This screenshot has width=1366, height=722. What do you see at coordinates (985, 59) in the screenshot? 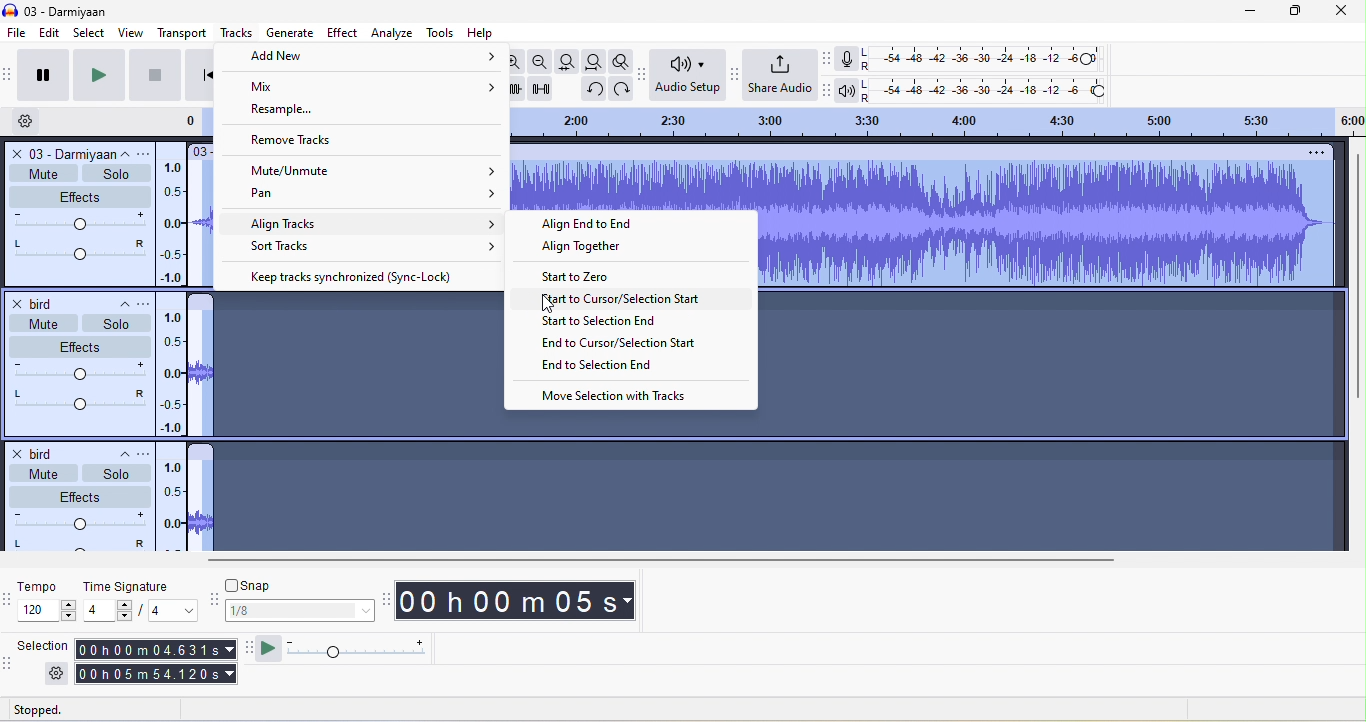
I see `recording level` at bounding box center [985, 59].